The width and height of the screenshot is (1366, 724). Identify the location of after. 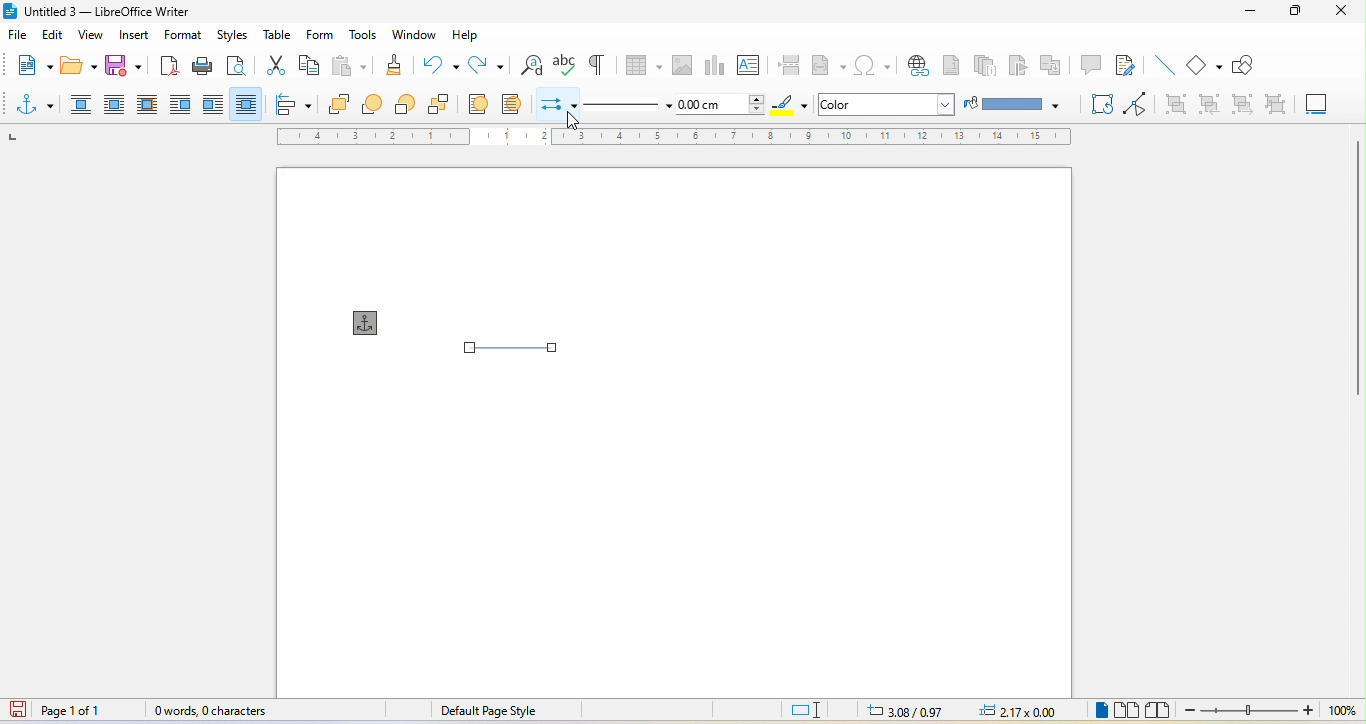
(211, 103).